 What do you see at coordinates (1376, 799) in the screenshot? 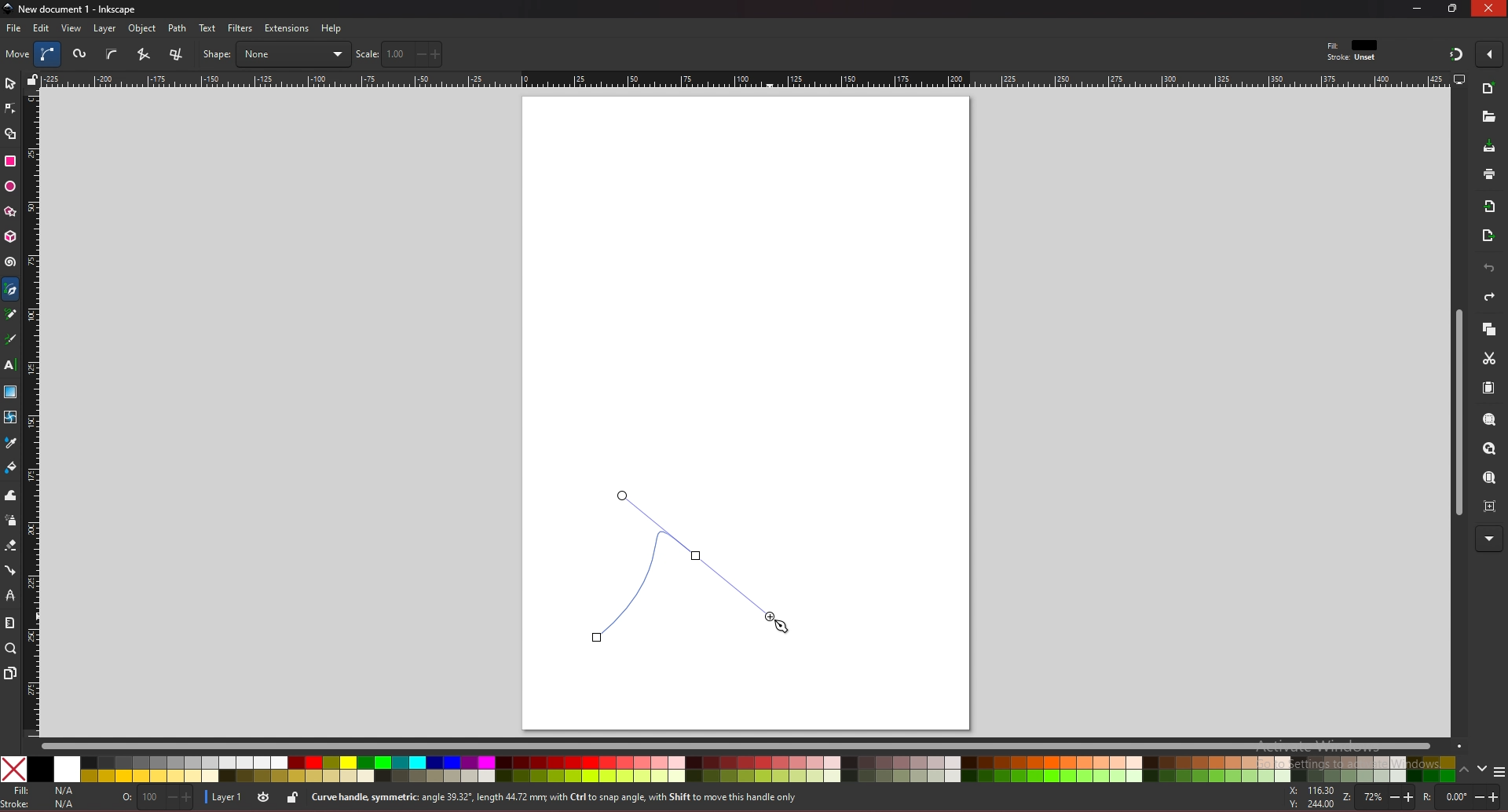
I see `zoom` at bounding box center [1376, 799].